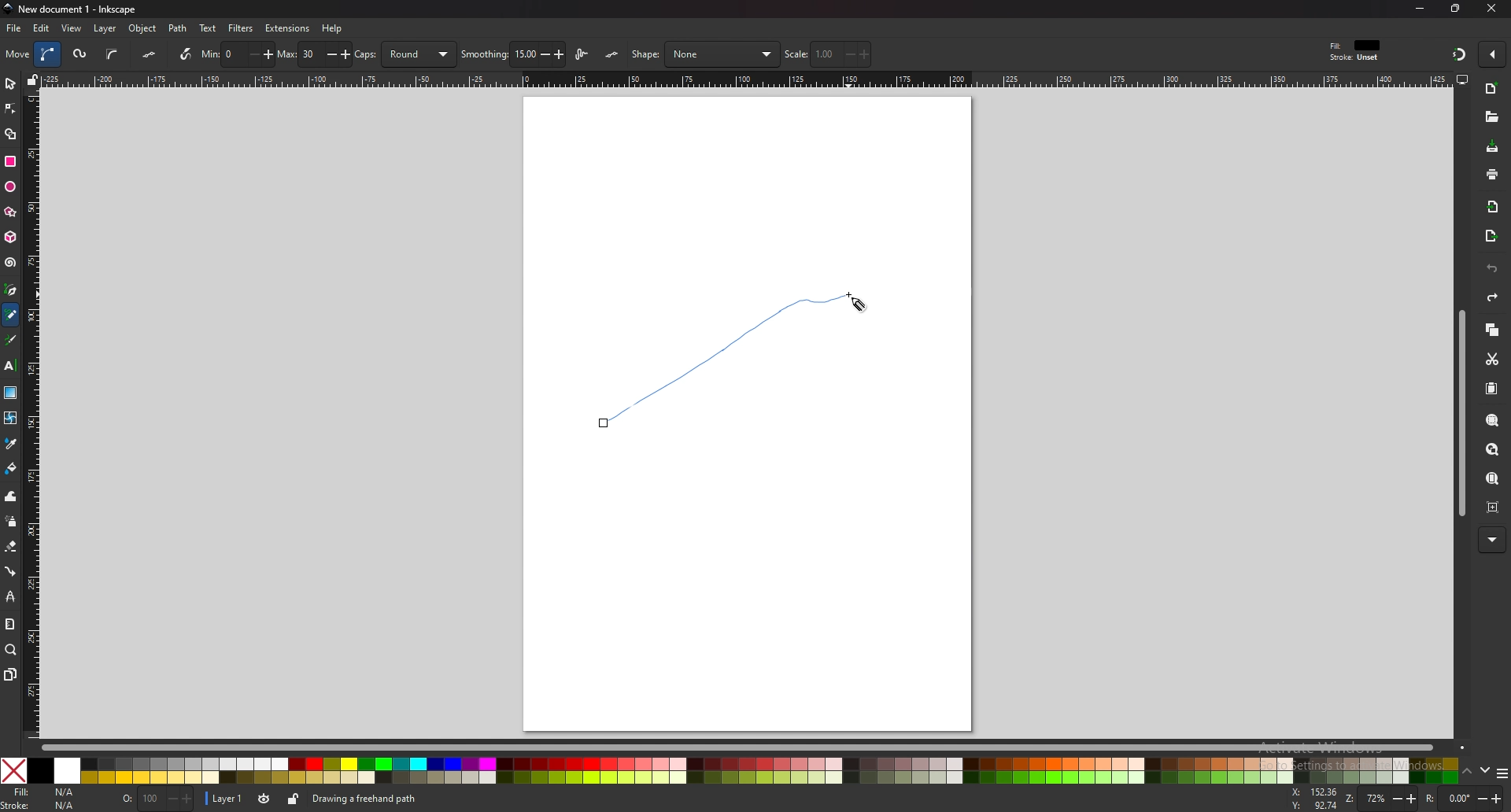 The height and width of the screenshot is (812, 1511). Describe the element at coordinates (704, 54) in the screenshot. I see `shape` at that location.